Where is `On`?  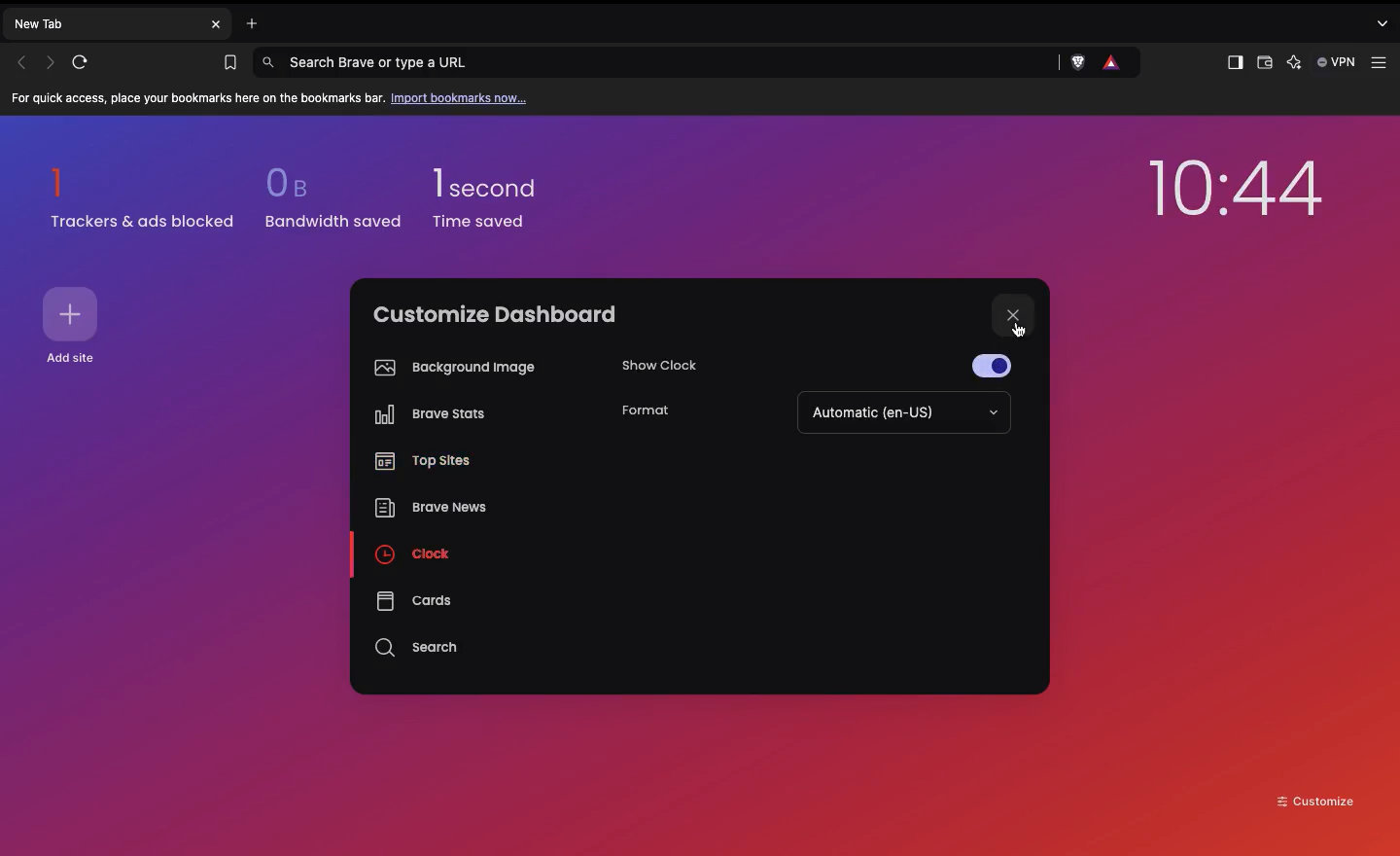
On is located at coordinates (998, 363).